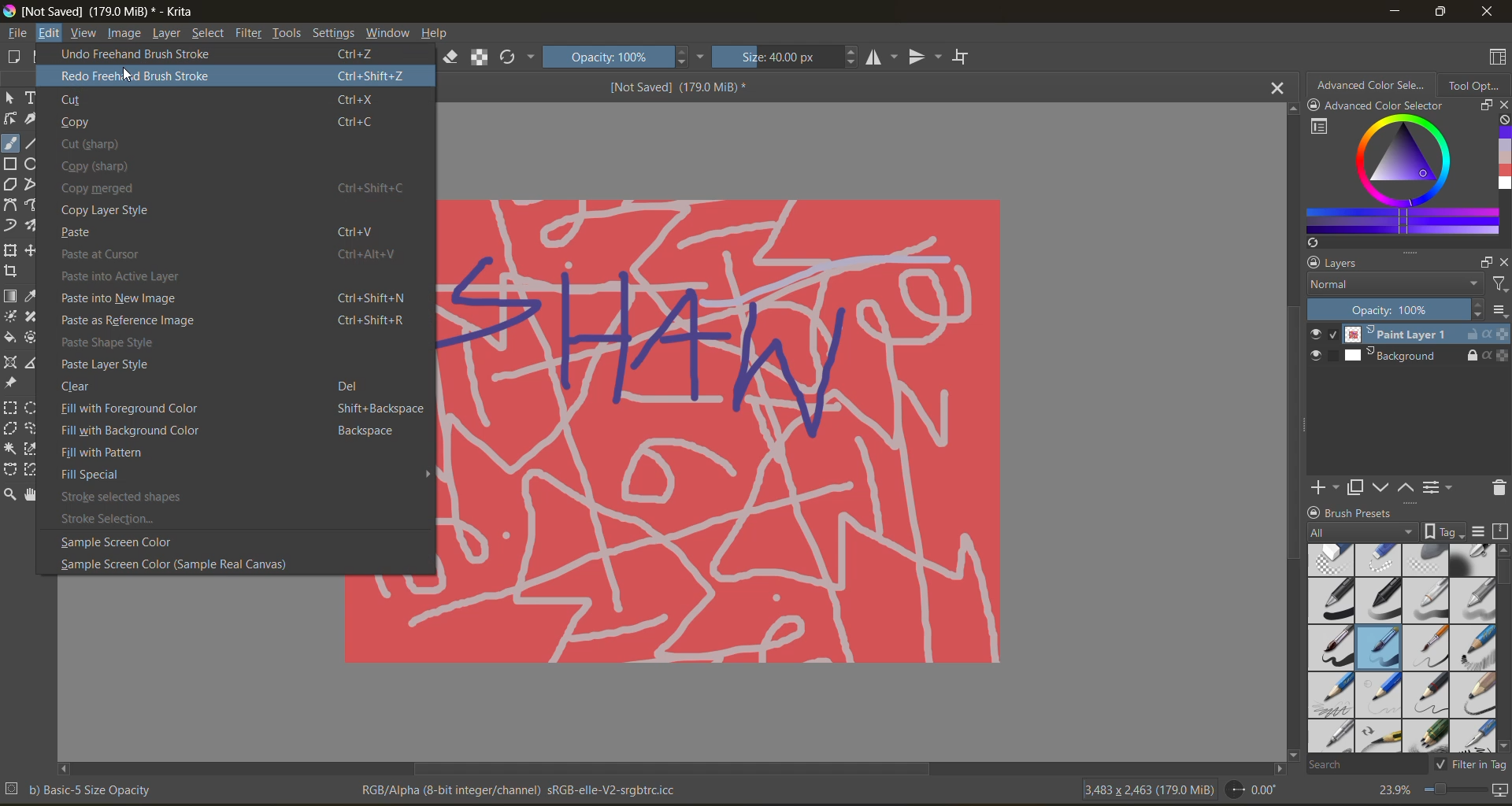  I want to click on copy    Ctrl+C, so click(219, 122).